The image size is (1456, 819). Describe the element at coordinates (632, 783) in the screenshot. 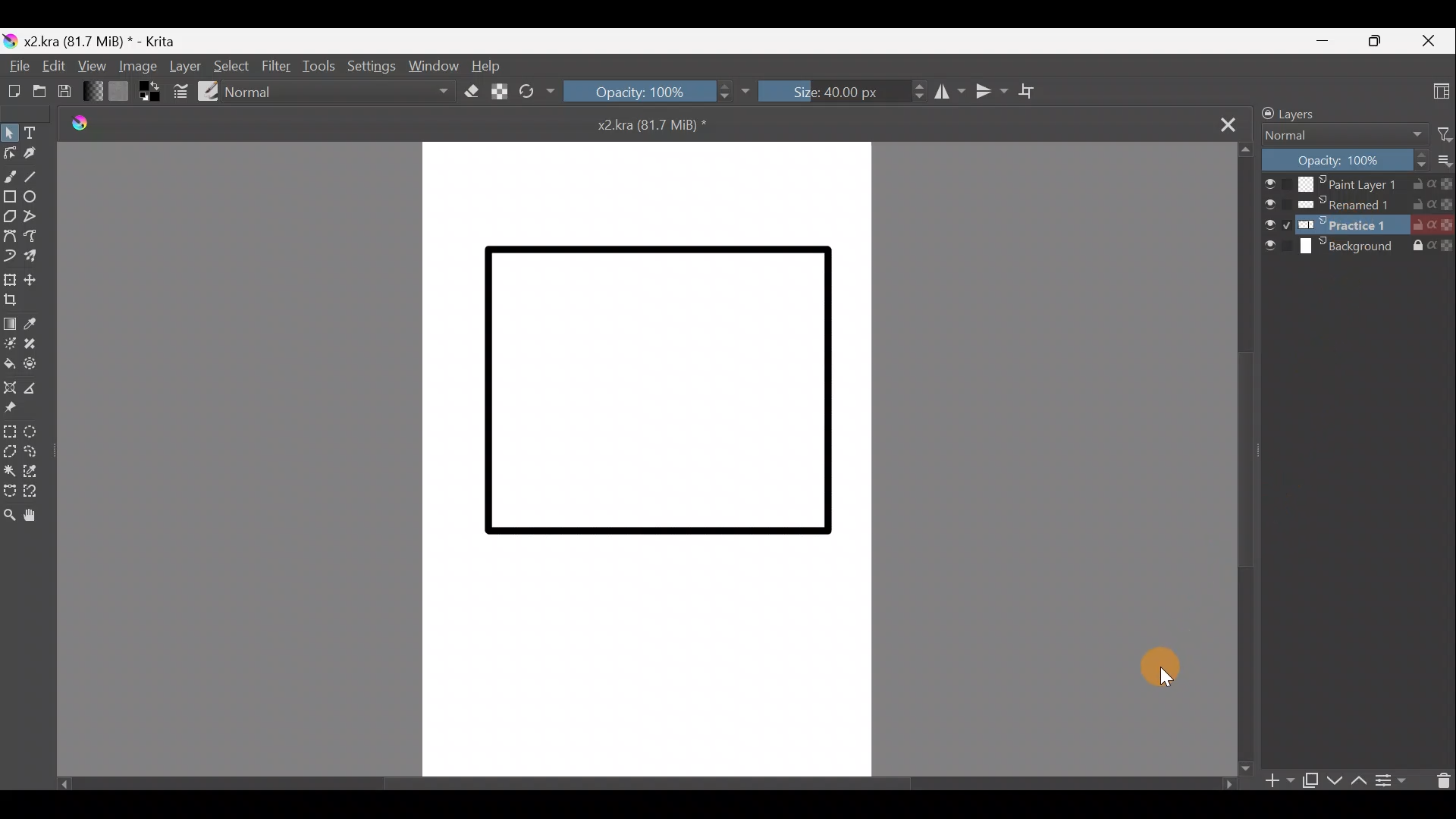

I see `Scroll bar` at that location.